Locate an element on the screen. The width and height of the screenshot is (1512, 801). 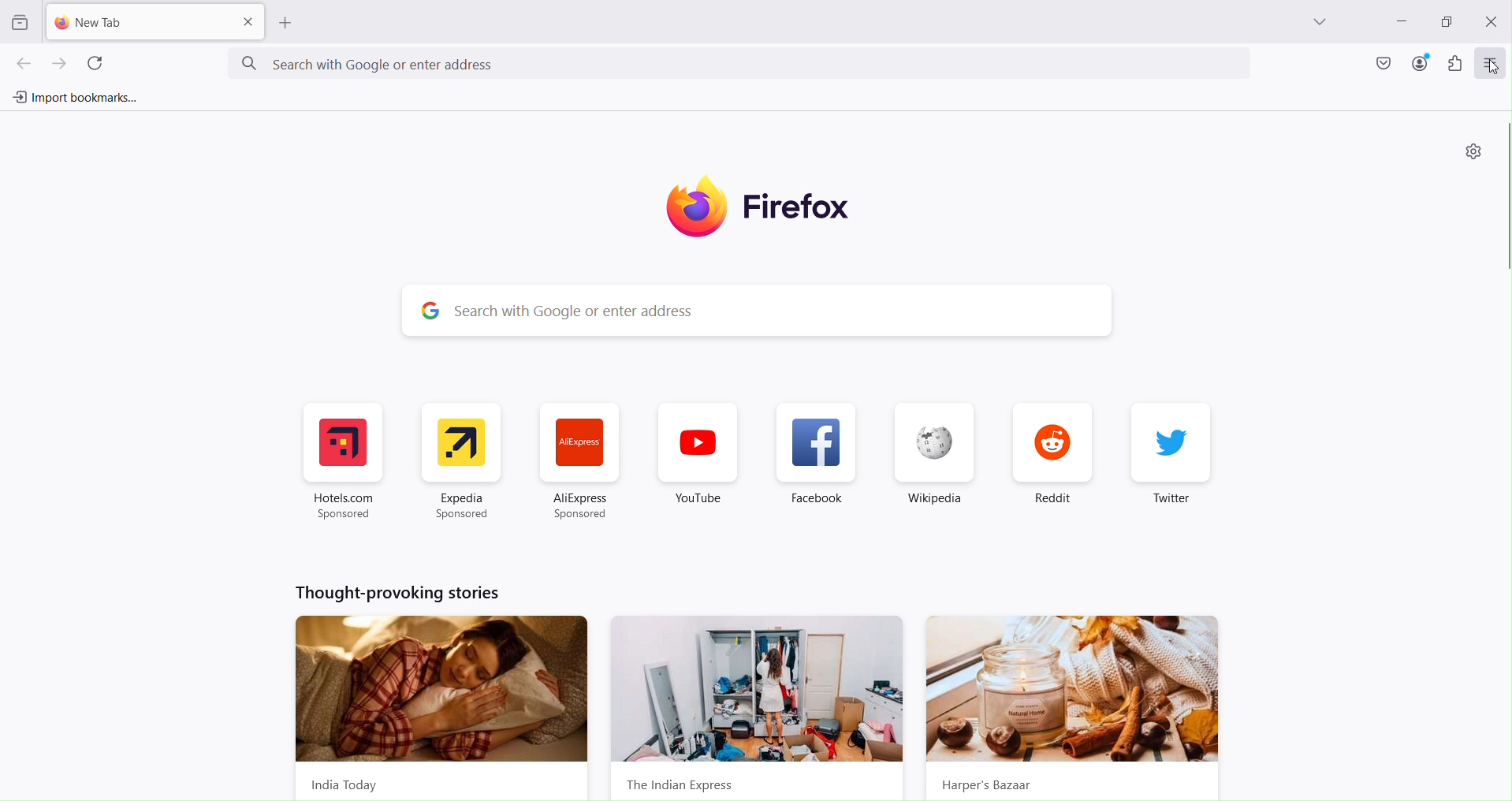
Save to pocket is located at coordinates (1381, 62).